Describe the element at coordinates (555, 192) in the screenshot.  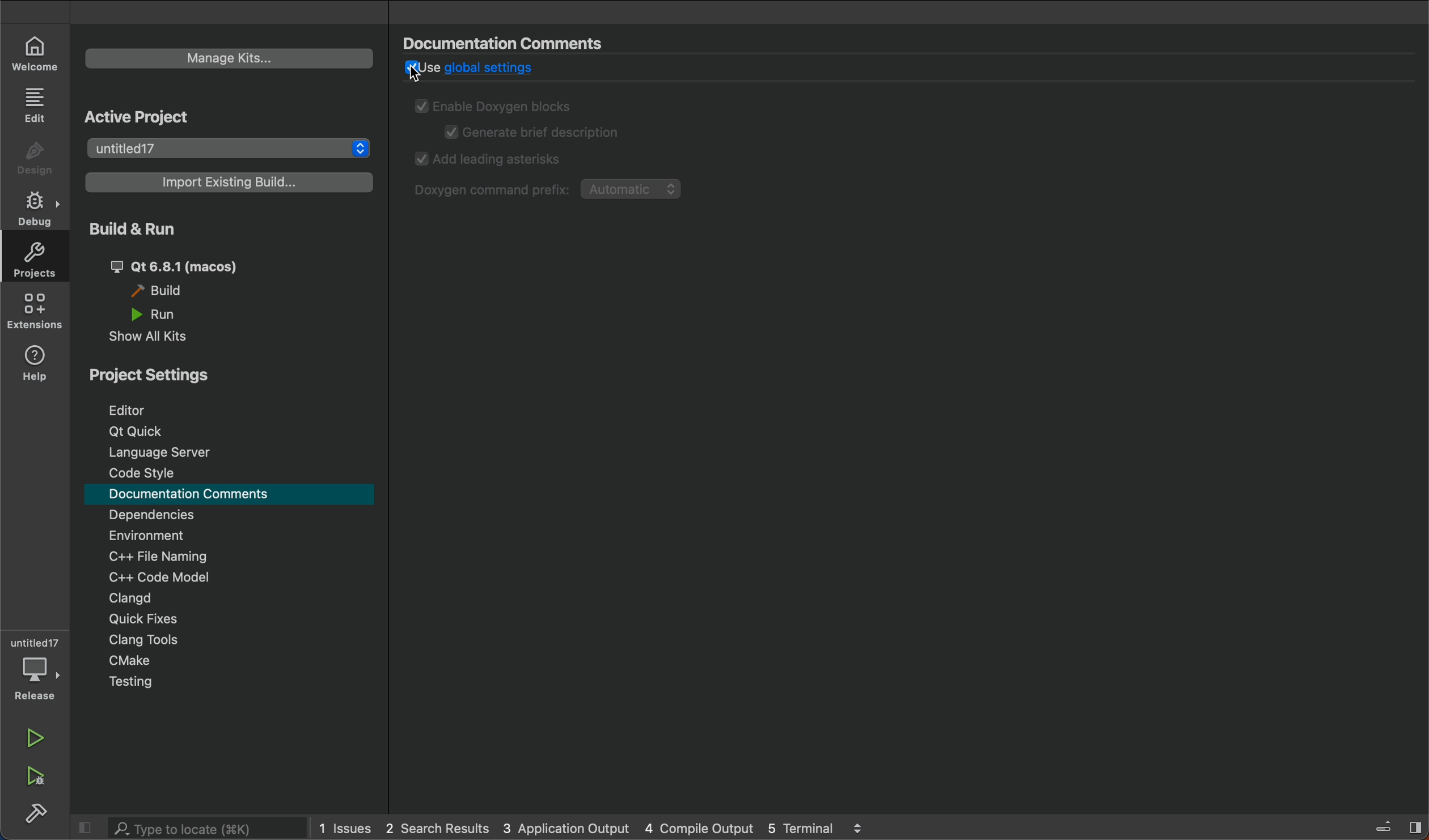
I see `command prefix` at that location.